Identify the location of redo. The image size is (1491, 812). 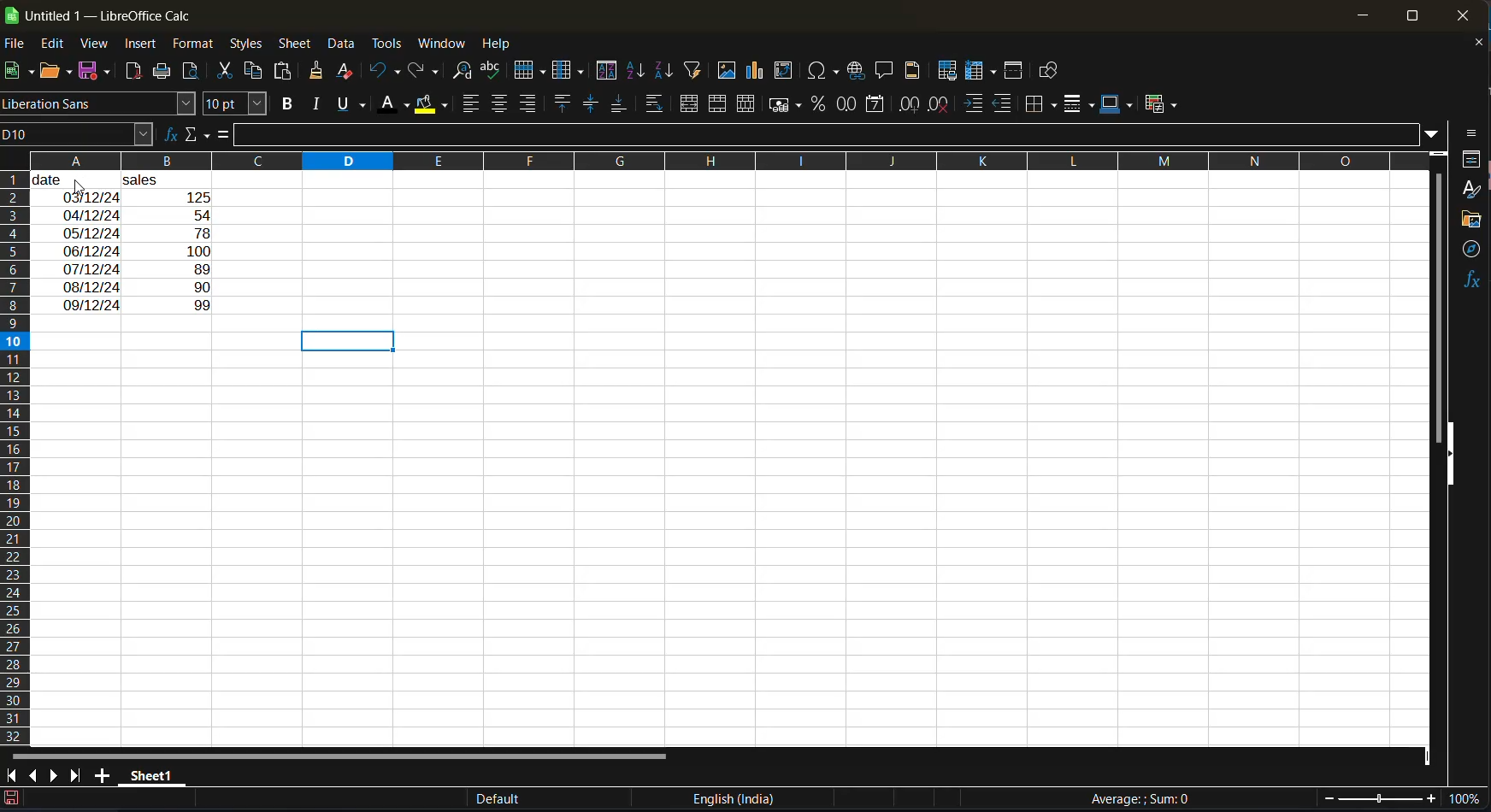
(421, 71).